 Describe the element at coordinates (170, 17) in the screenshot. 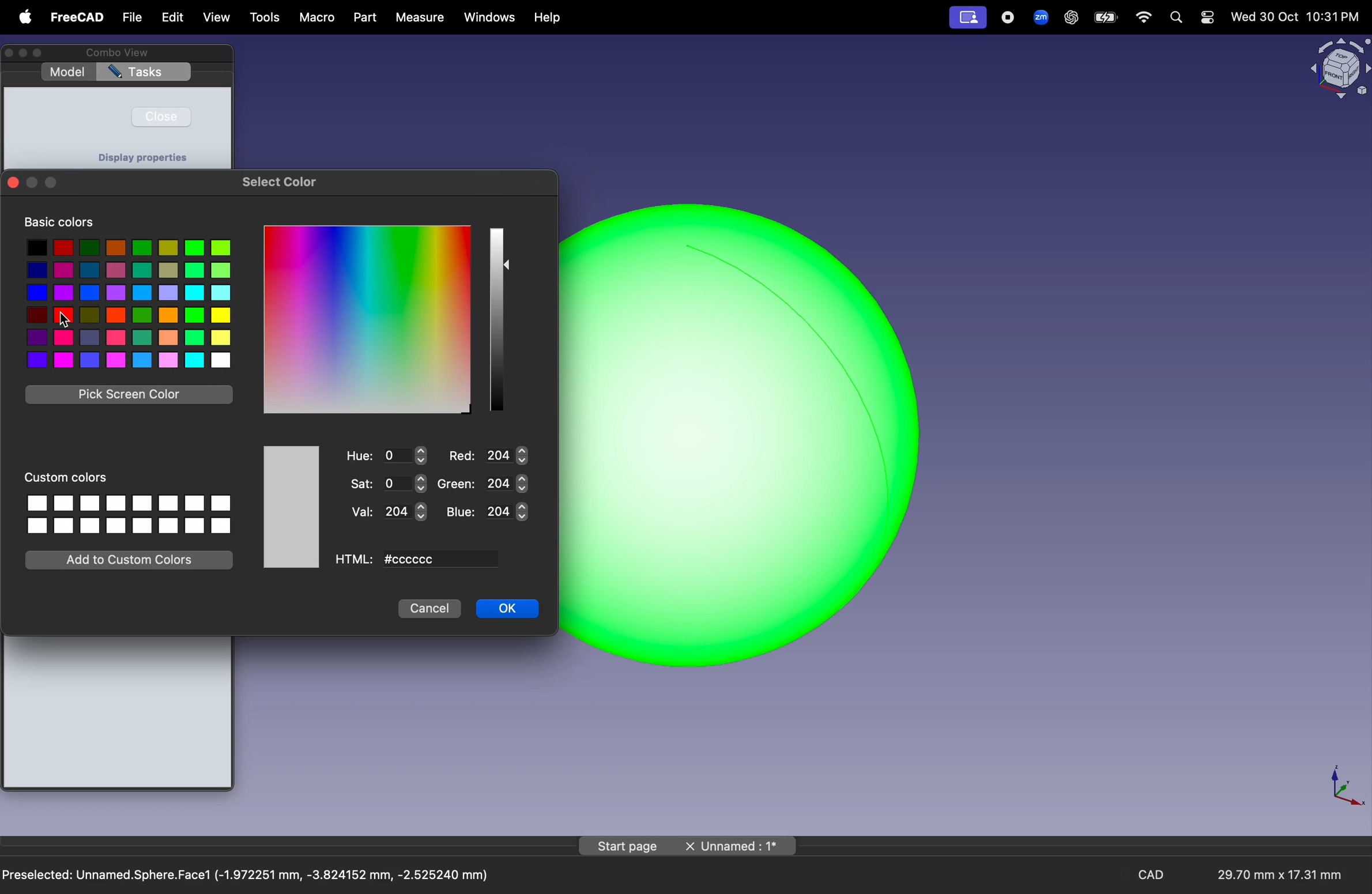

I see `edit` at that location.